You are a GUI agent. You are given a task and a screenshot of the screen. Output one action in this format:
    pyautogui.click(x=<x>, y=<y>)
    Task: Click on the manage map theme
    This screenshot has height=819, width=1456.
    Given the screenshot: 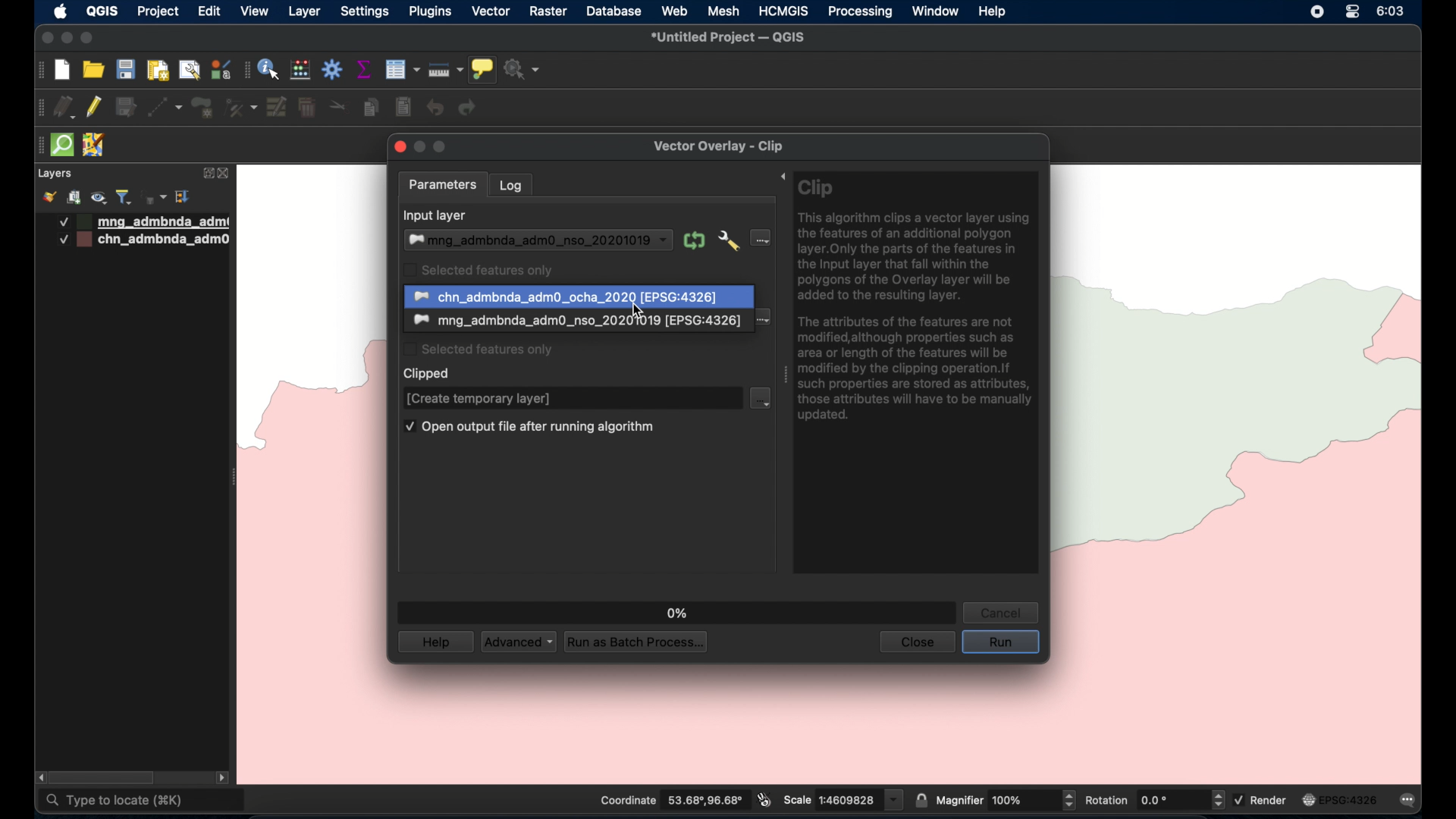 What is the action you would take?
    pyautogui.click(x=100, y=198)
    